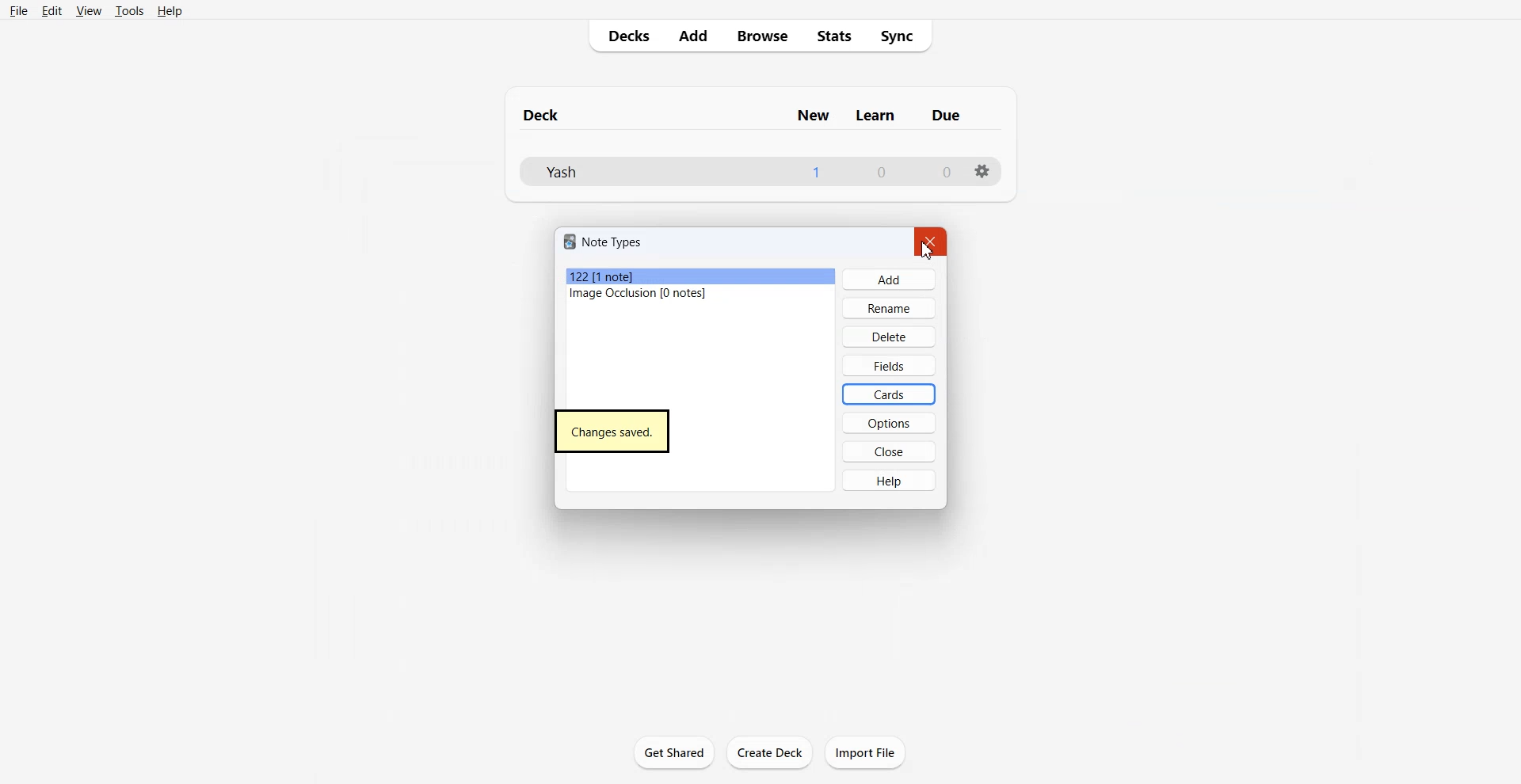 Image resolution: width=1521 pixels, height=784 pixels. I want to click on Sync, so click(902, 36).